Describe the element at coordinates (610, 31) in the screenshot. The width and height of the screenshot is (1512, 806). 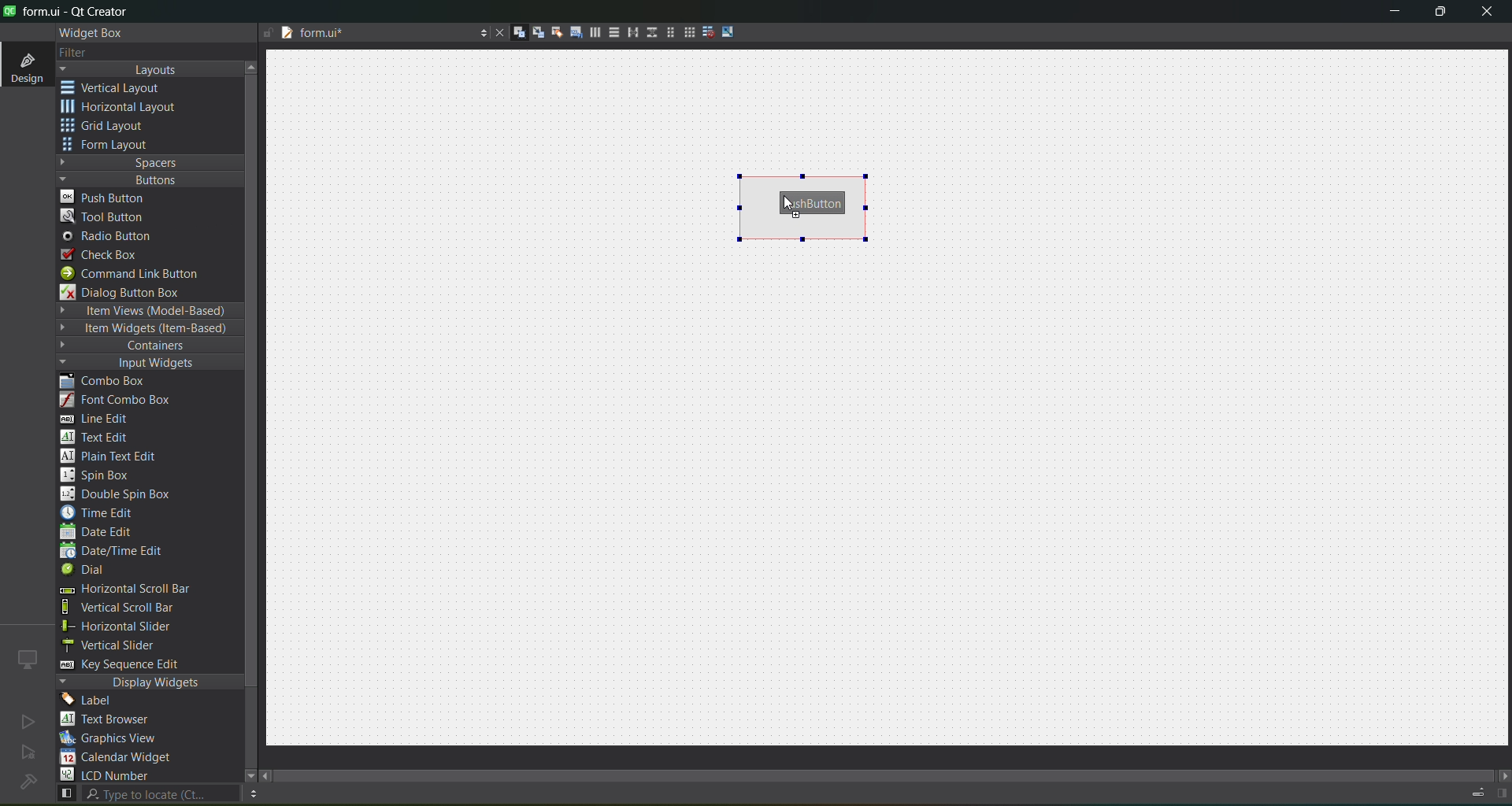
I see `layout vertically` at that location.